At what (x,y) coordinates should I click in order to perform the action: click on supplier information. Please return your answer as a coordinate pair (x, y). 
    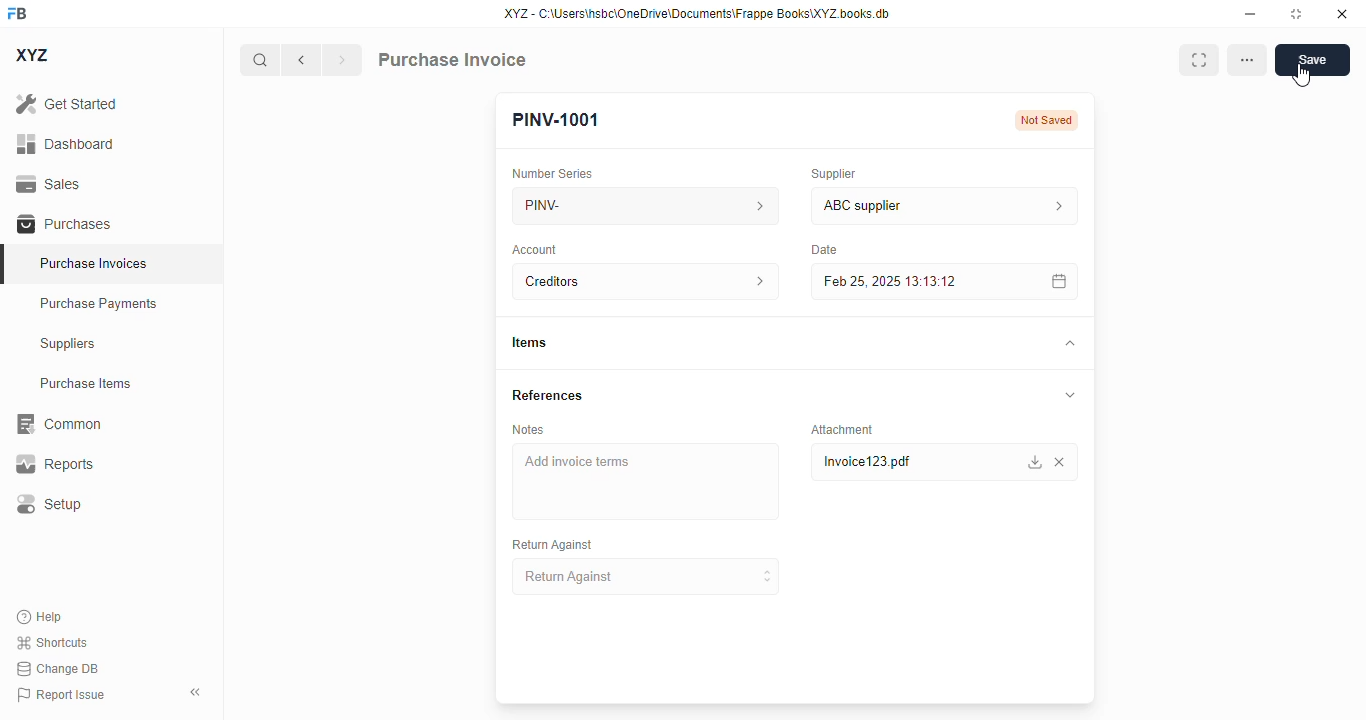
    Looking at the image, I should click on (1054, 206).